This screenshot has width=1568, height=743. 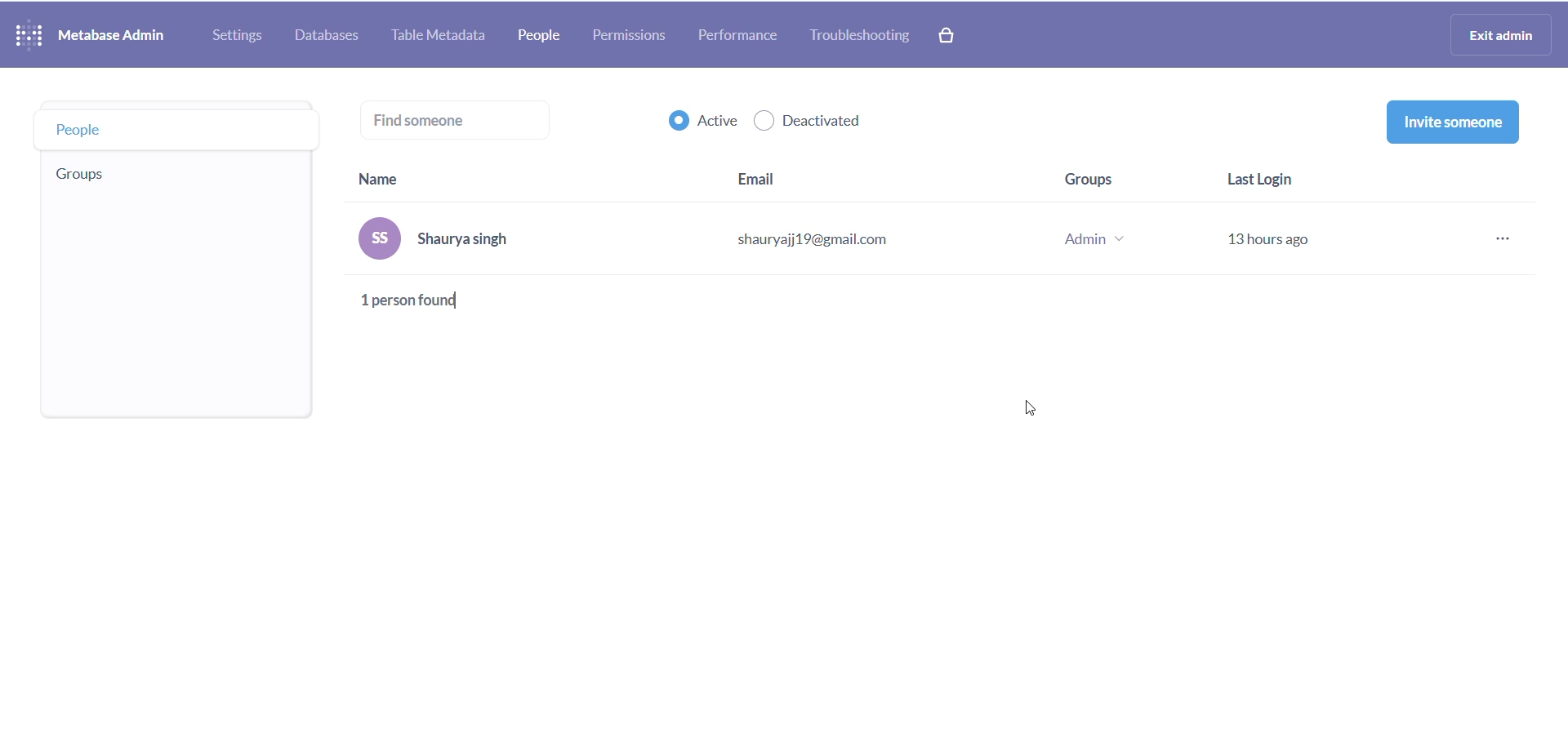 What do you see at coordinates (819, 121) in the screenshot?
I see `deactivated checkbox` at bounding box center [819, 121].